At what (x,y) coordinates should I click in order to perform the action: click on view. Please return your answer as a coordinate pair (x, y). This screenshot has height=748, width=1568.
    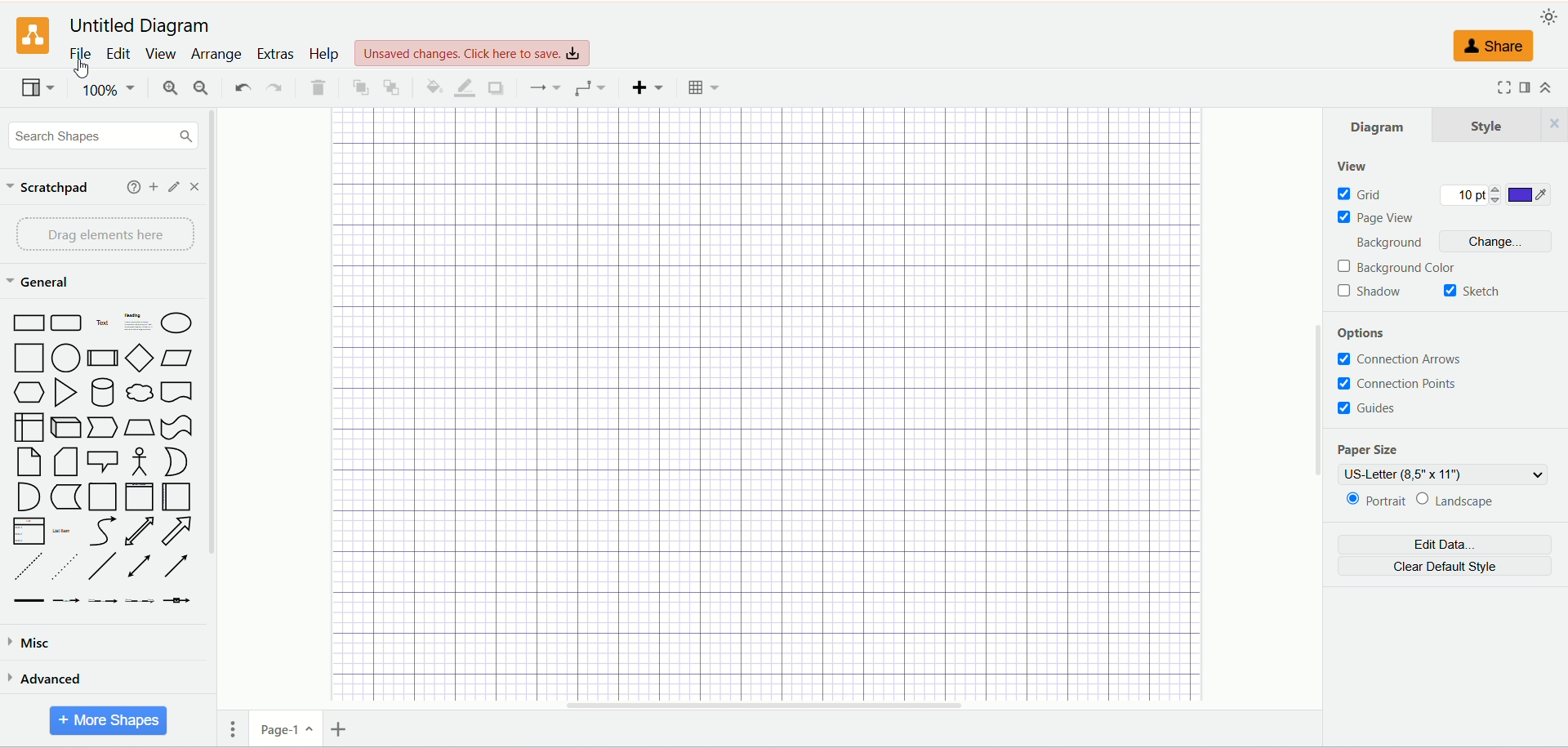
    Looking at the image, I should click on (35, 90).